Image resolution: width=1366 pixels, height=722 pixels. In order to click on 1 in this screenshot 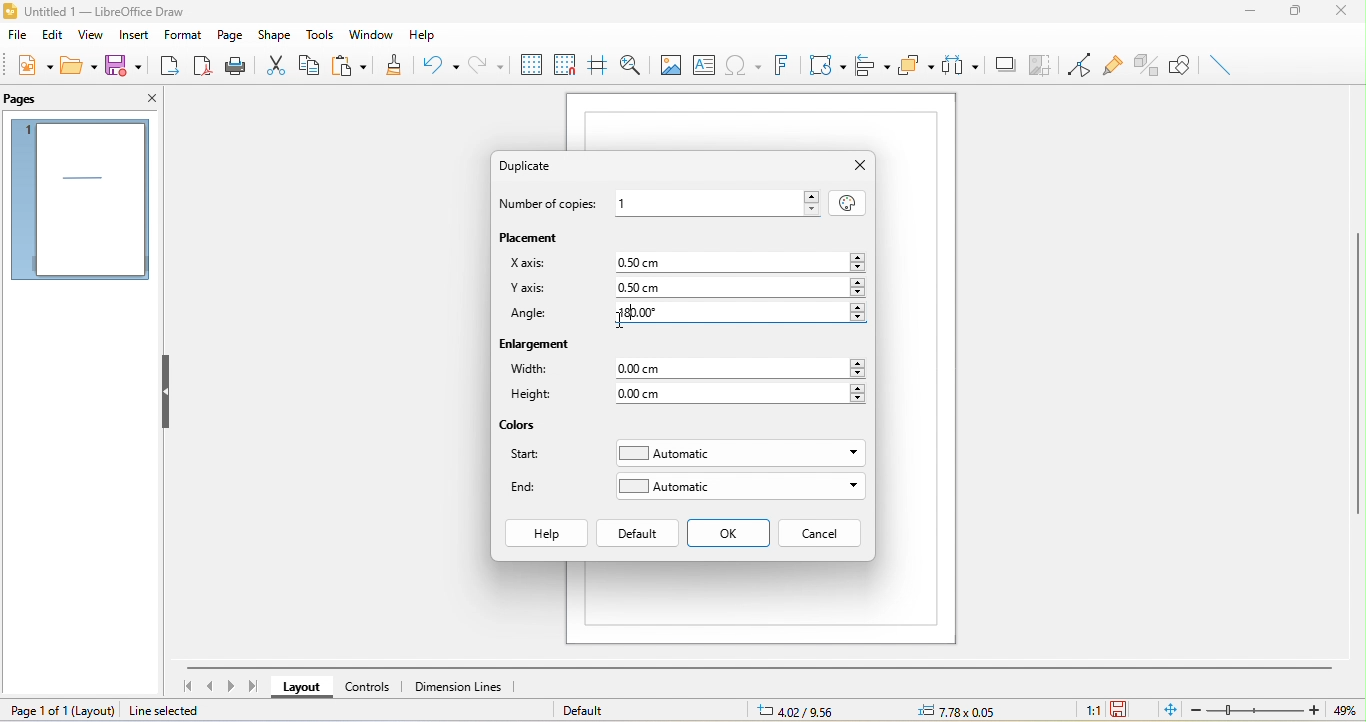, I will do `click(718, 201)`.